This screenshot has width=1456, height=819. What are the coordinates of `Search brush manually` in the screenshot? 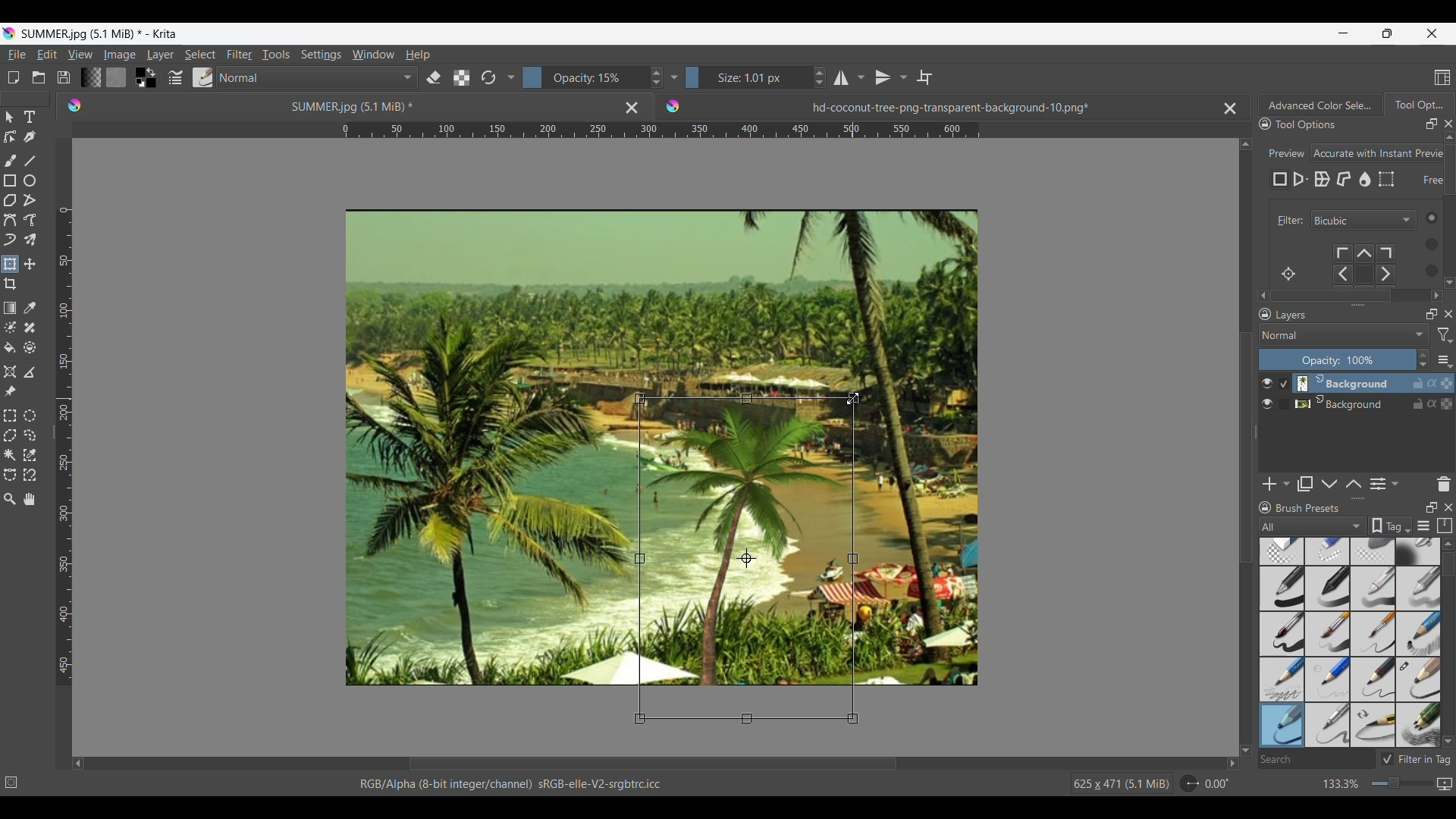 It's located at (1316, 759).